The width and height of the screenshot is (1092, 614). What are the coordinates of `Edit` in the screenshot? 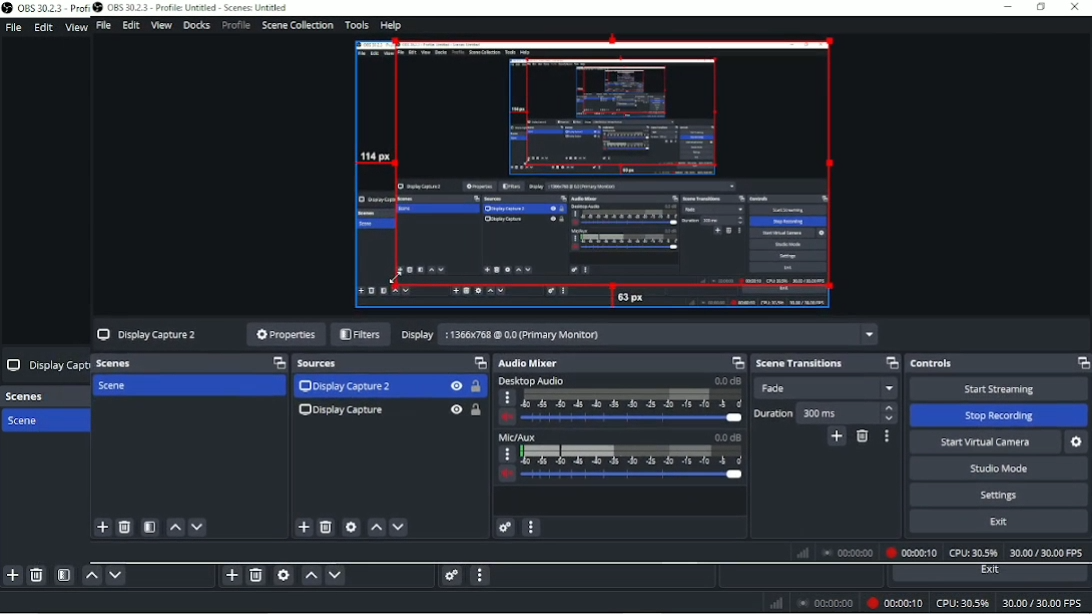 It's located at (132, 25).